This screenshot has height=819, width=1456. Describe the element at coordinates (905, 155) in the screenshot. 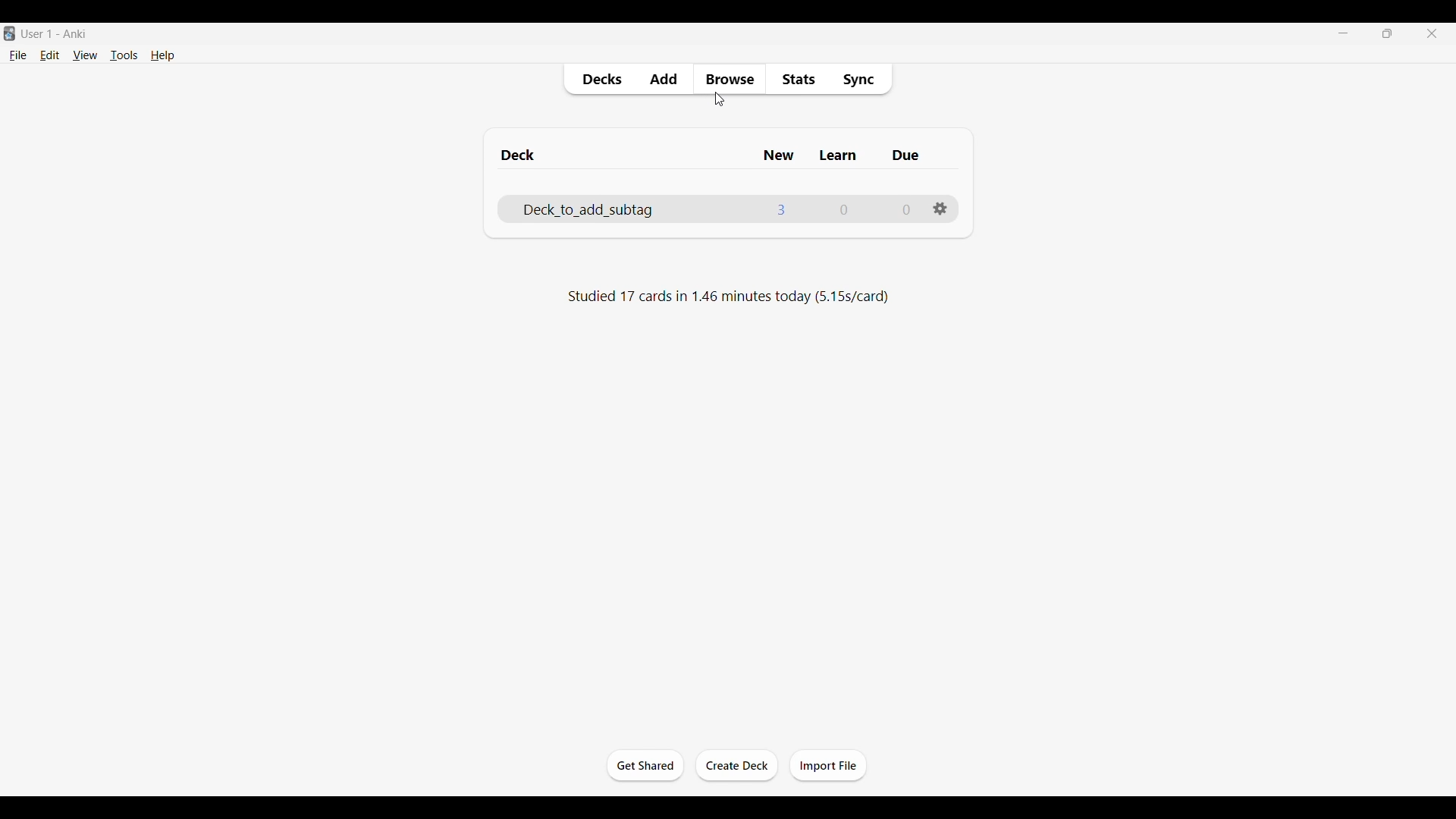

I see `Column for due cards` at that location.